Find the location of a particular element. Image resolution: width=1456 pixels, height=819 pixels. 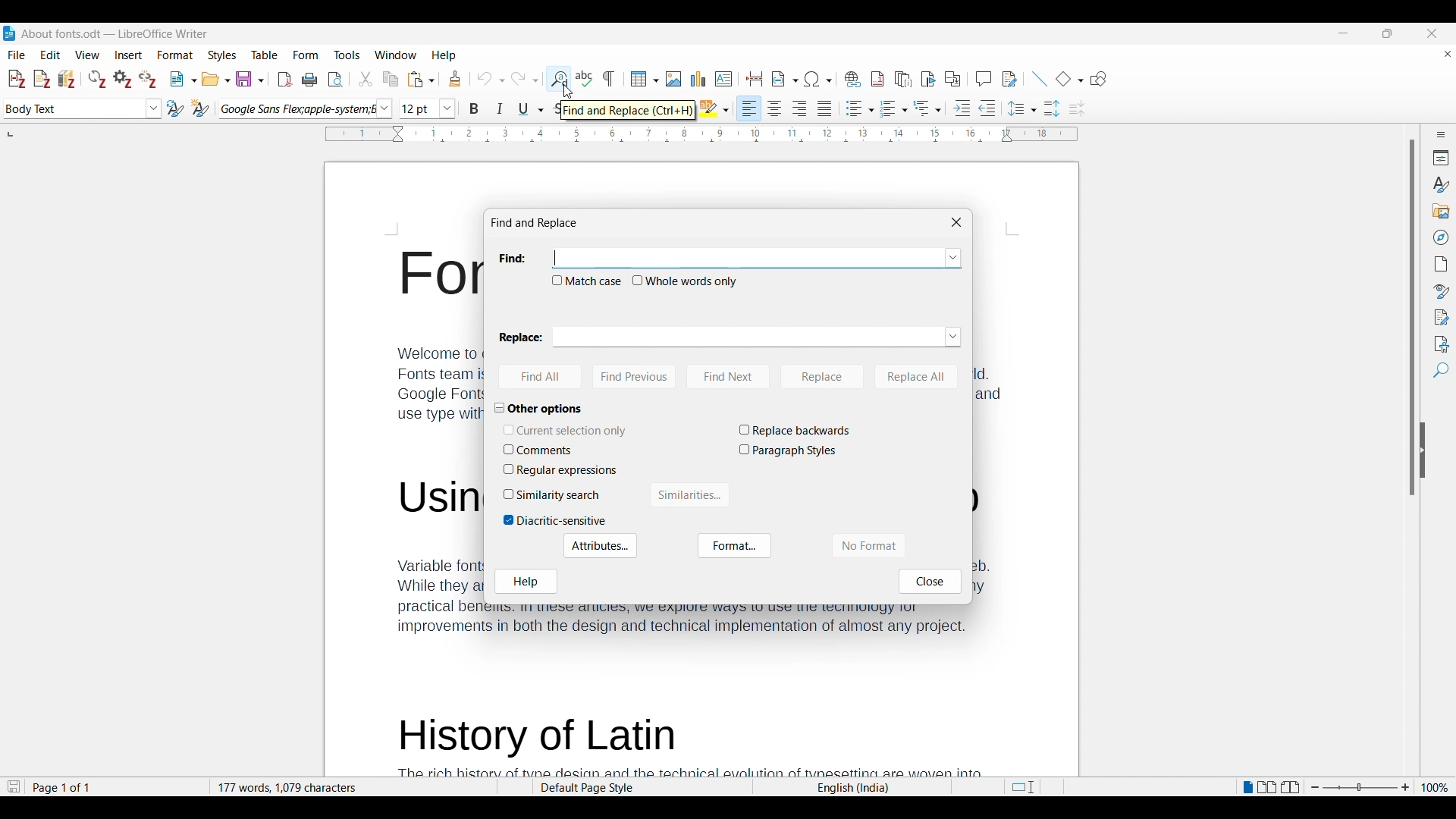

Underline options is located at coordinates (532, 109).